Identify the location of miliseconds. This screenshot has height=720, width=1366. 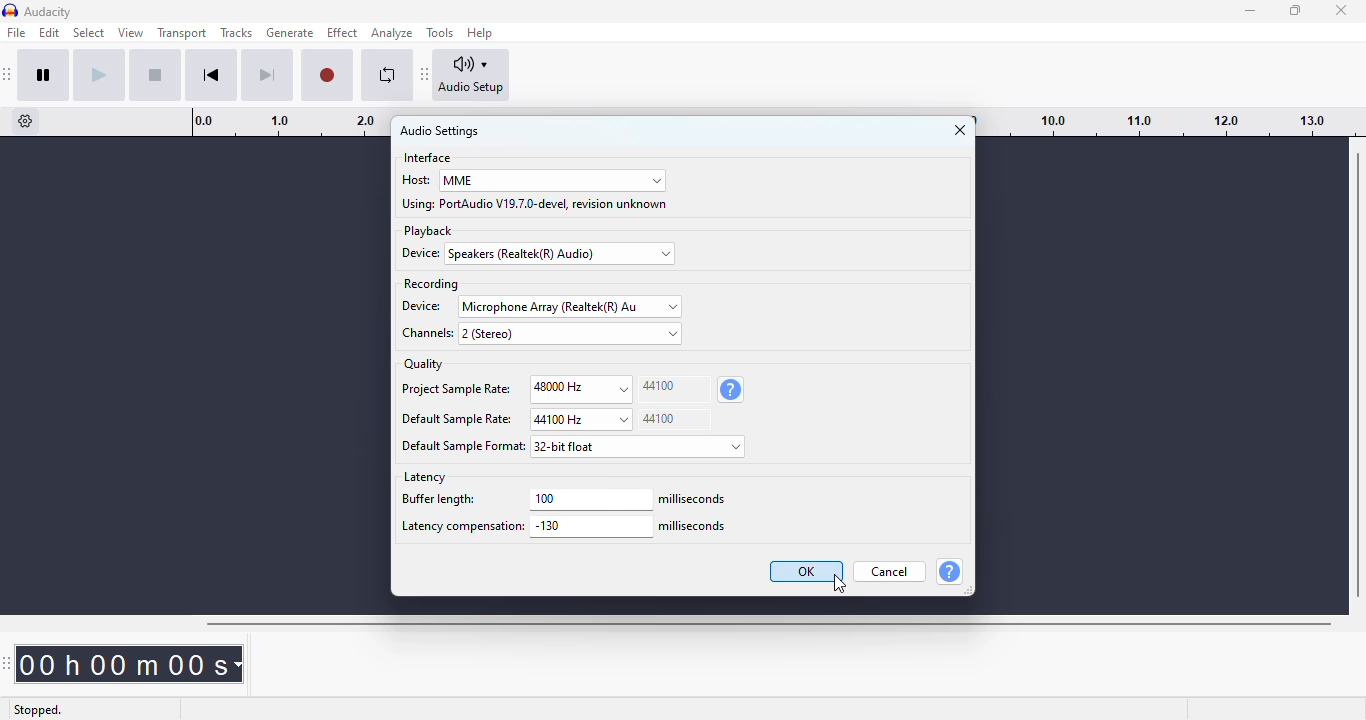
(694, 527).